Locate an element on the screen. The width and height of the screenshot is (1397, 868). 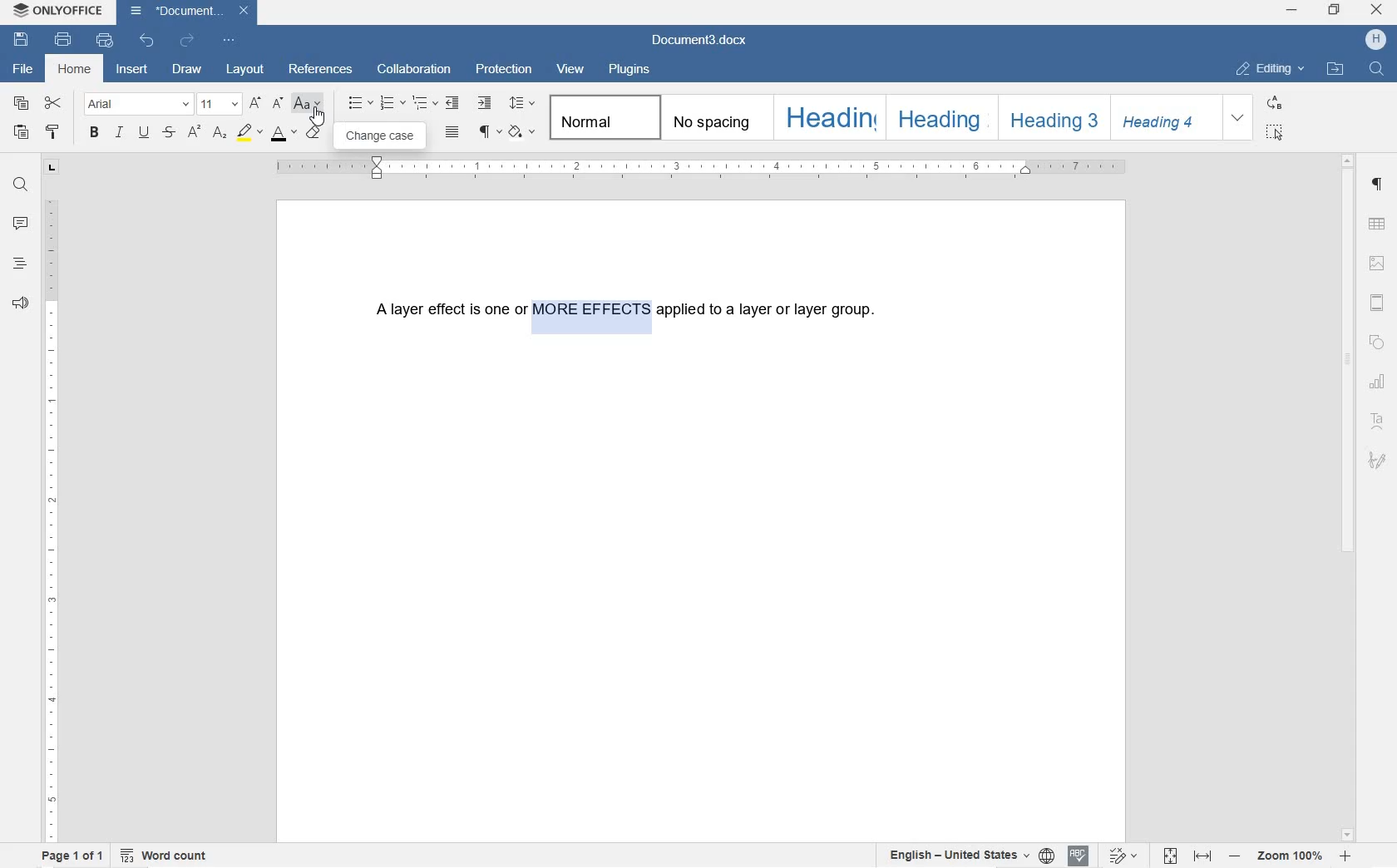
REPLACE is located at coordinates (1275, 102).